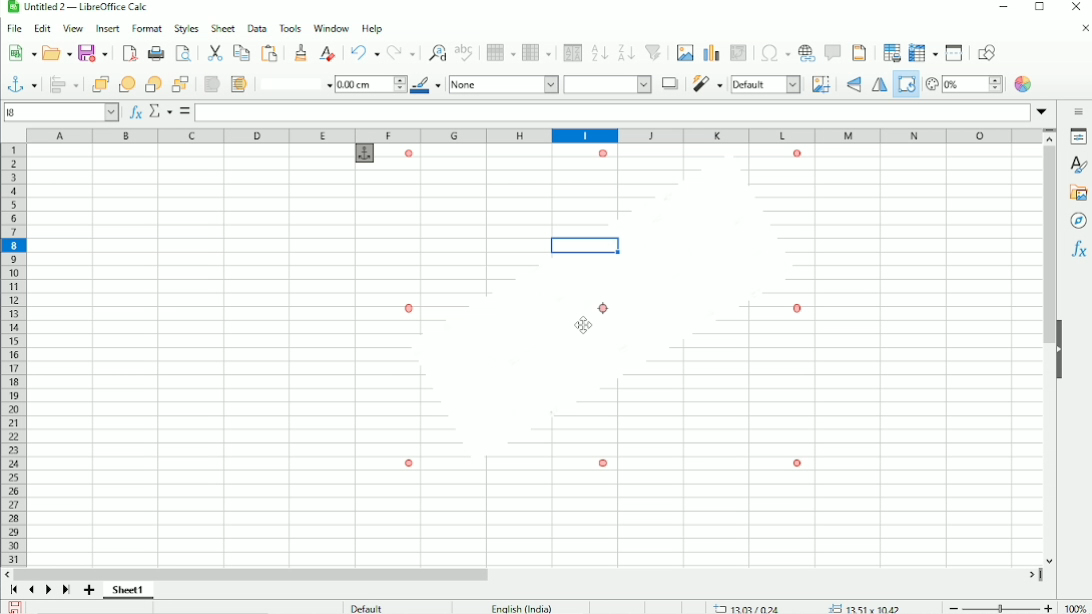  I want to click on Default, so click(767, 85).